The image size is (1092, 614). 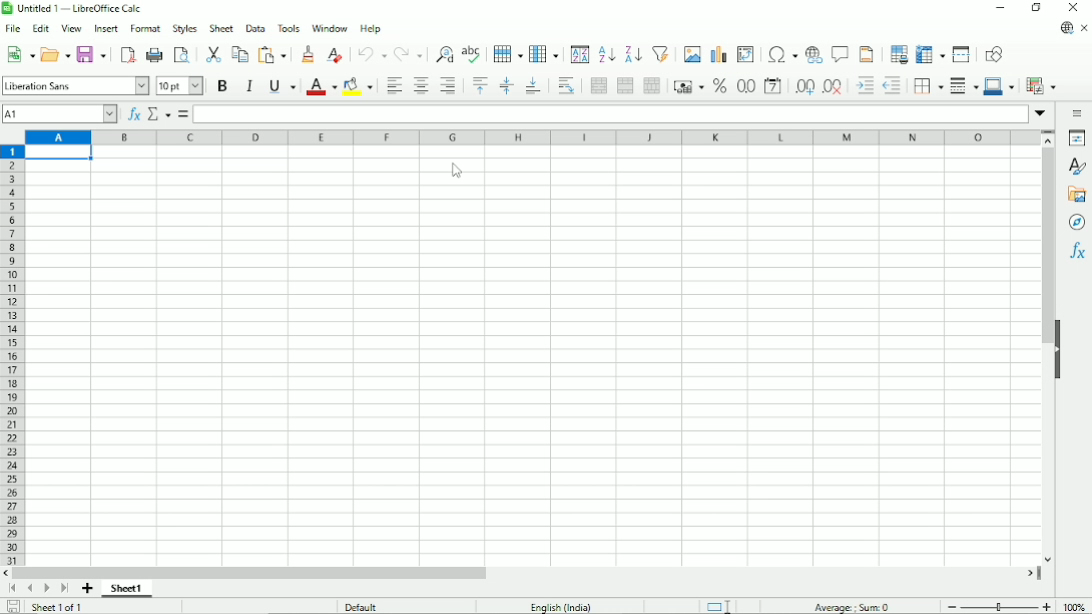 What do you see at coordinates (994, 53) in the screenshot?
I see `Show draw functions` at bounding box center [994, 53].